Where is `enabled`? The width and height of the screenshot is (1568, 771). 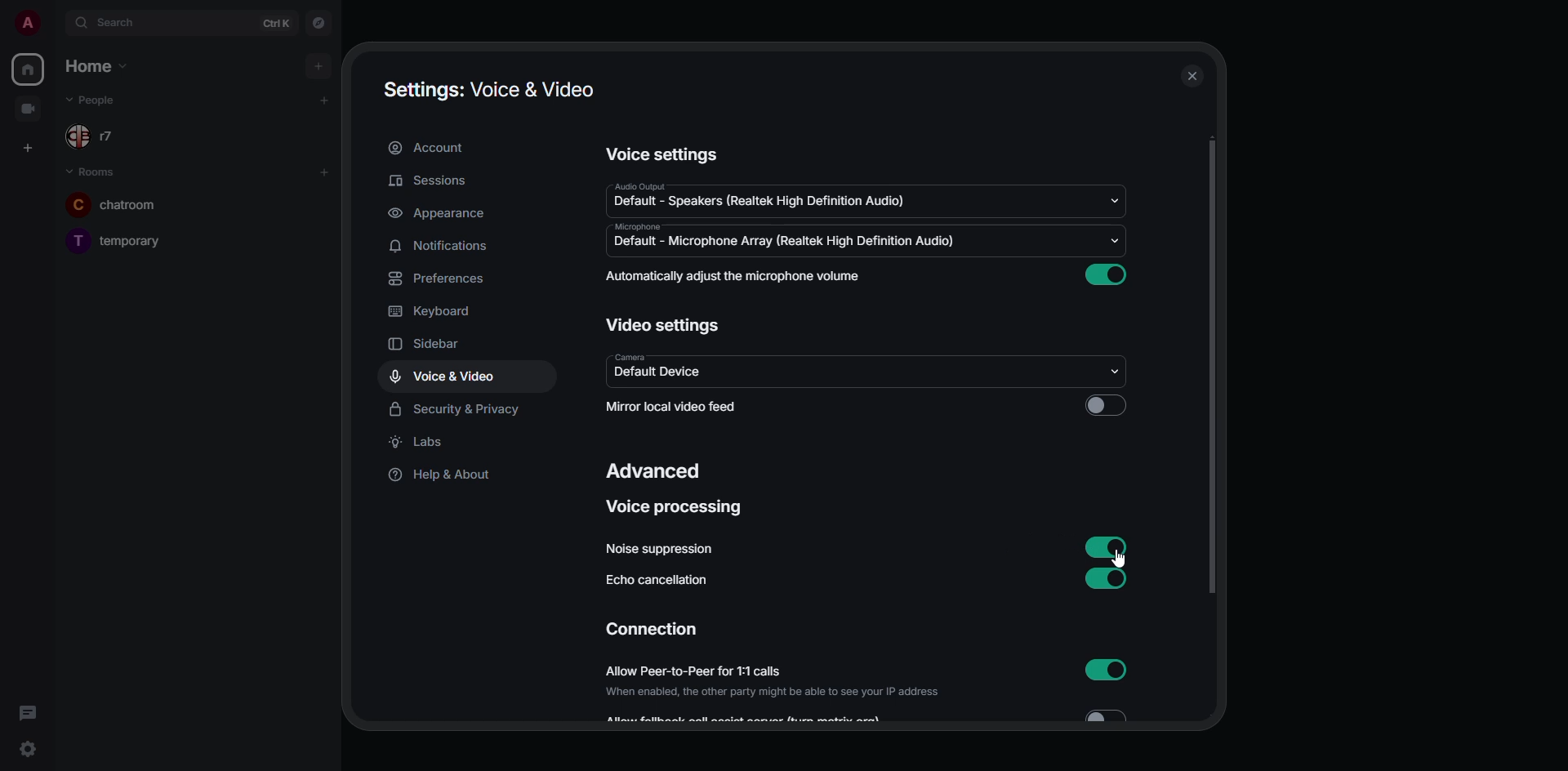 enabled is located at coordinates (1107, 669).